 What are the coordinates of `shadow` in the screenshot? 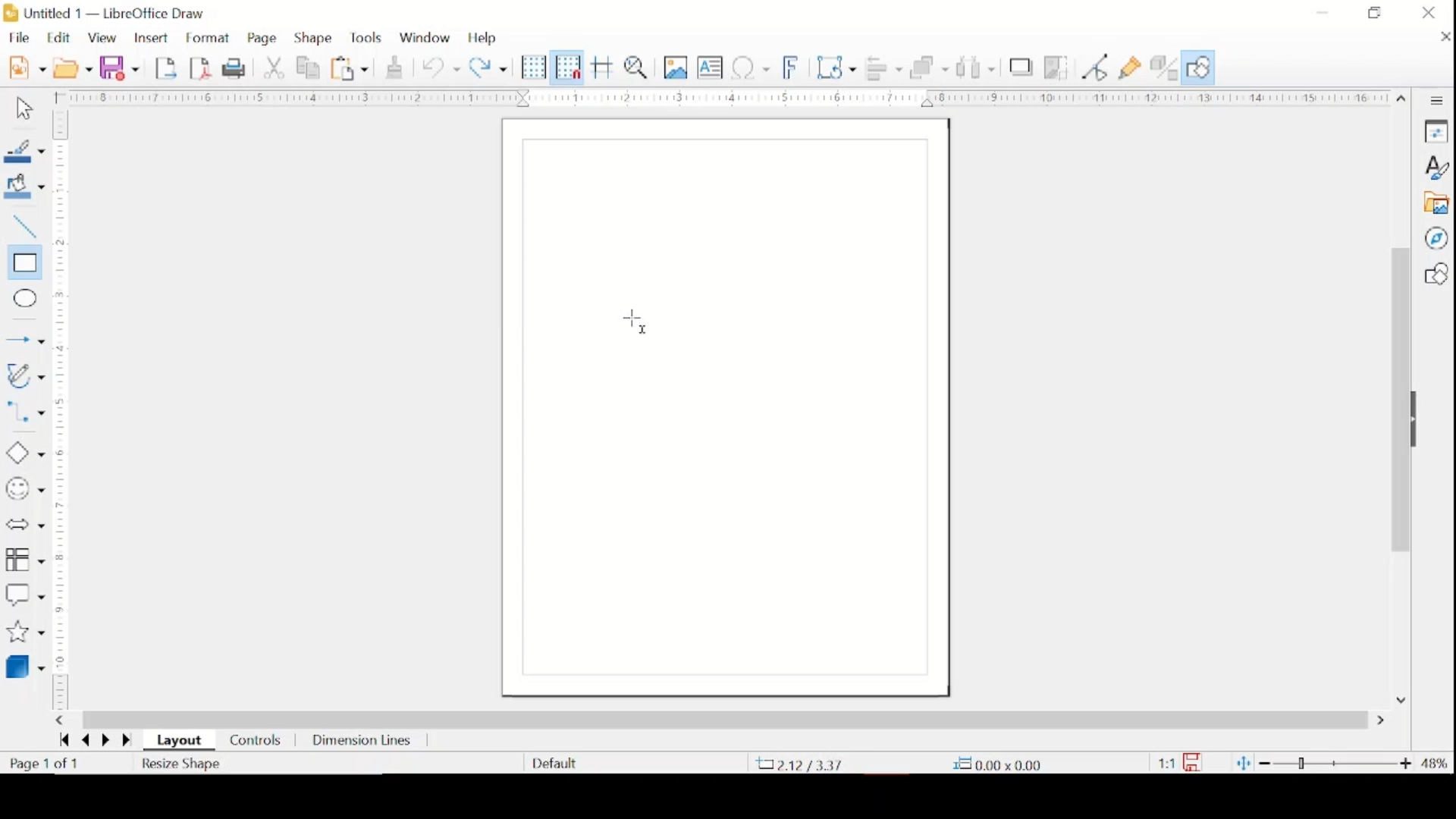 It's located at (1021, 67).